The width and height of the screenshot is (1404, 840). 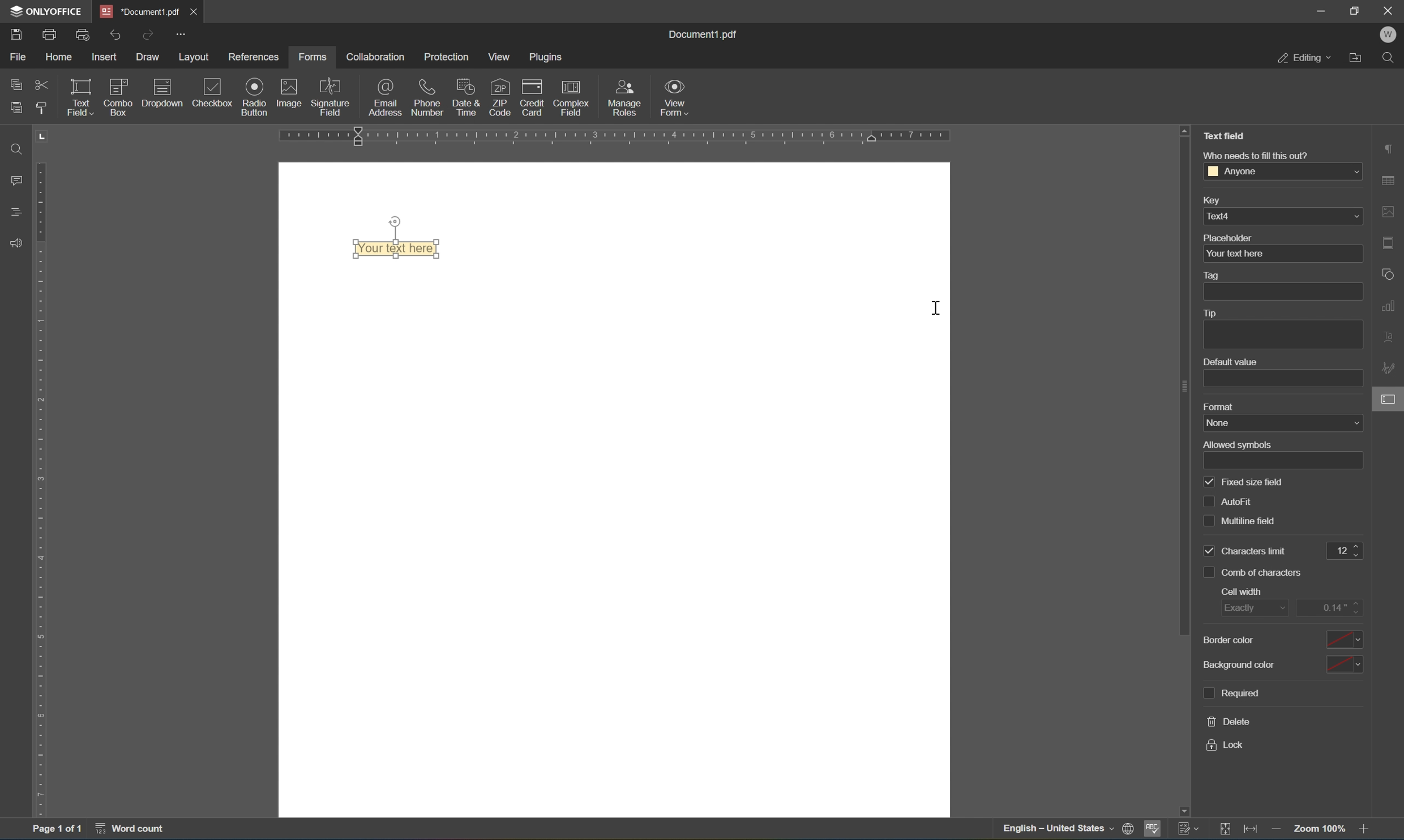 What do you see at coordinates (1238, 502) in the screenshot?
I see `autofit` at bounding box center [1238, 502].